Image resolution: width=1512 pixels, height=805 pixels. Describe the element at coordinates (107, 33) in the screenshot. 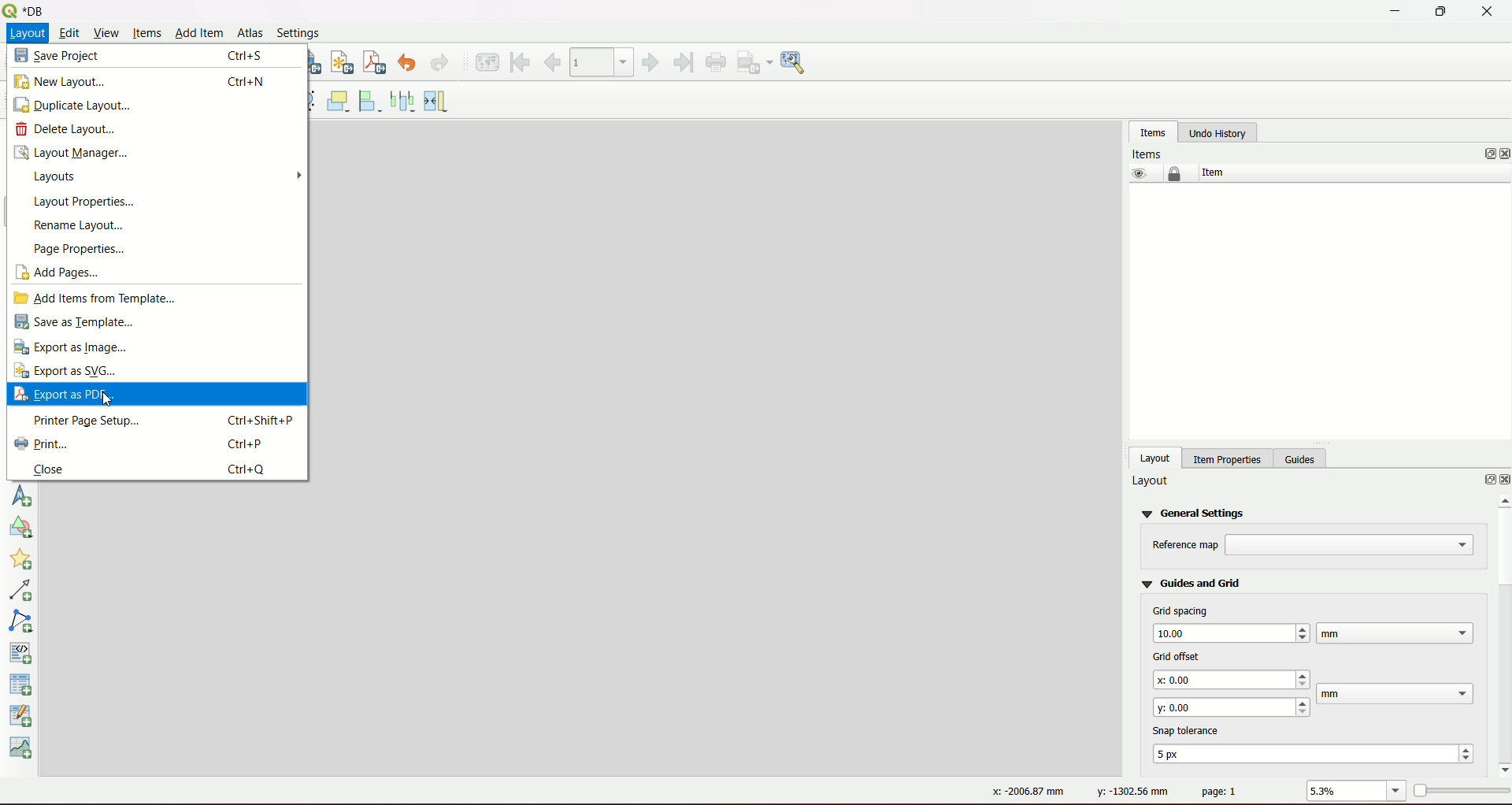

I see `View` at that location.